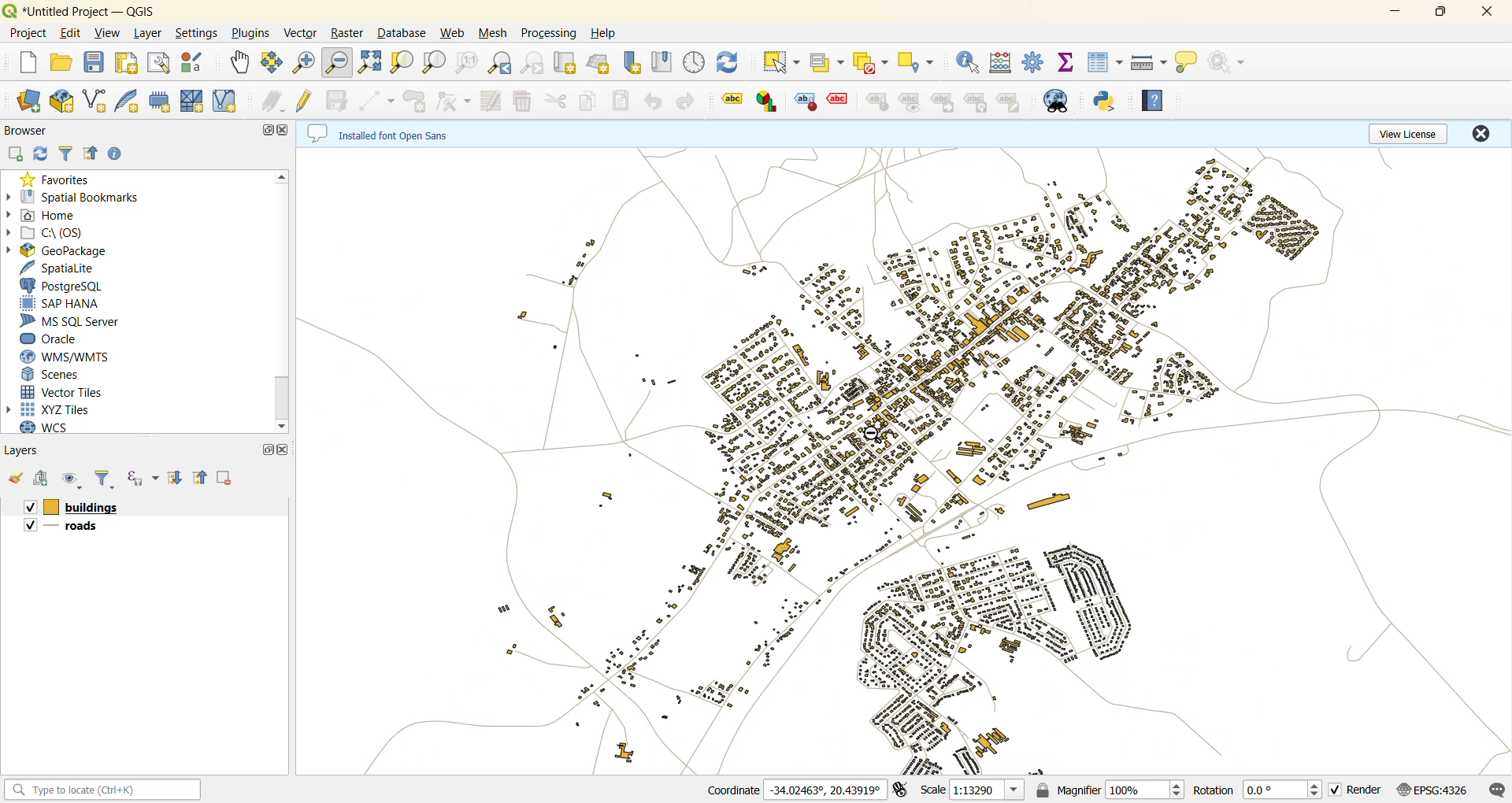  I want to click on ms sql server, so click(80, 320).